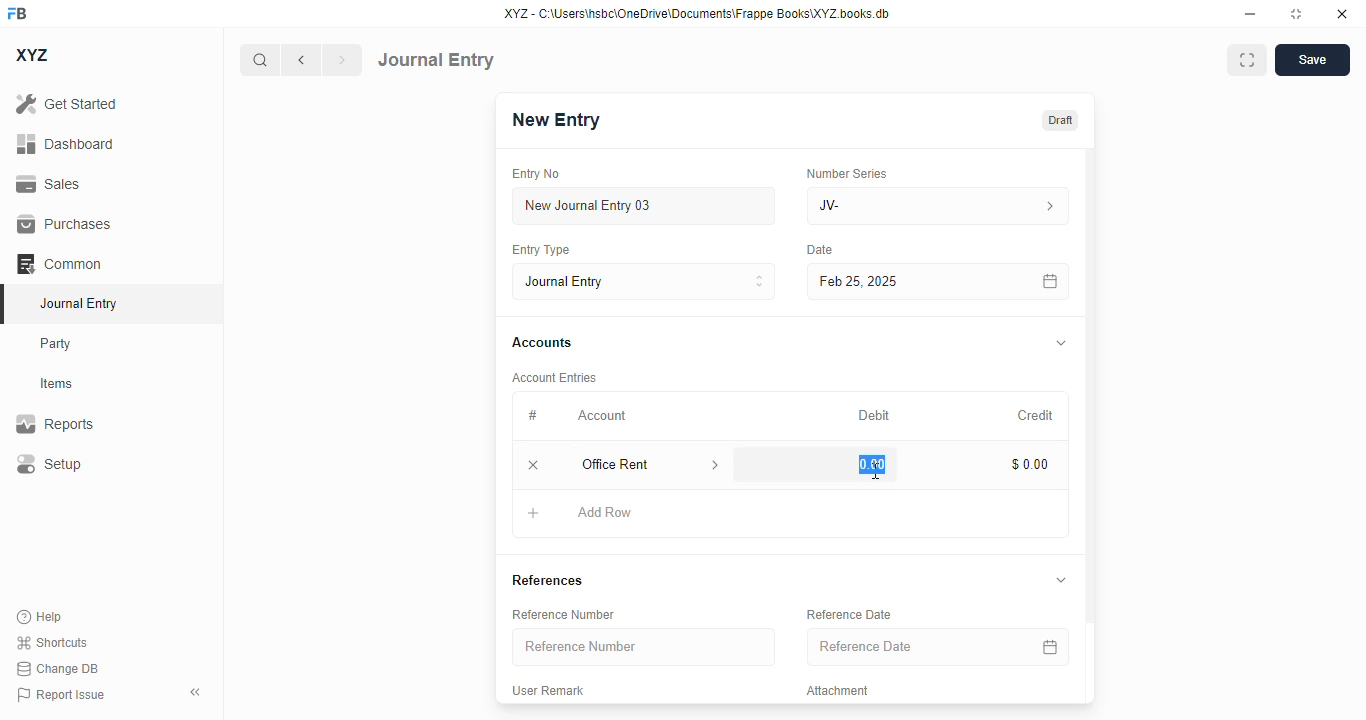 This screenshot has width=1366, height=720. Describe the element at coordinates (554, 120) in the screenshot. I see `new entry` at that location.